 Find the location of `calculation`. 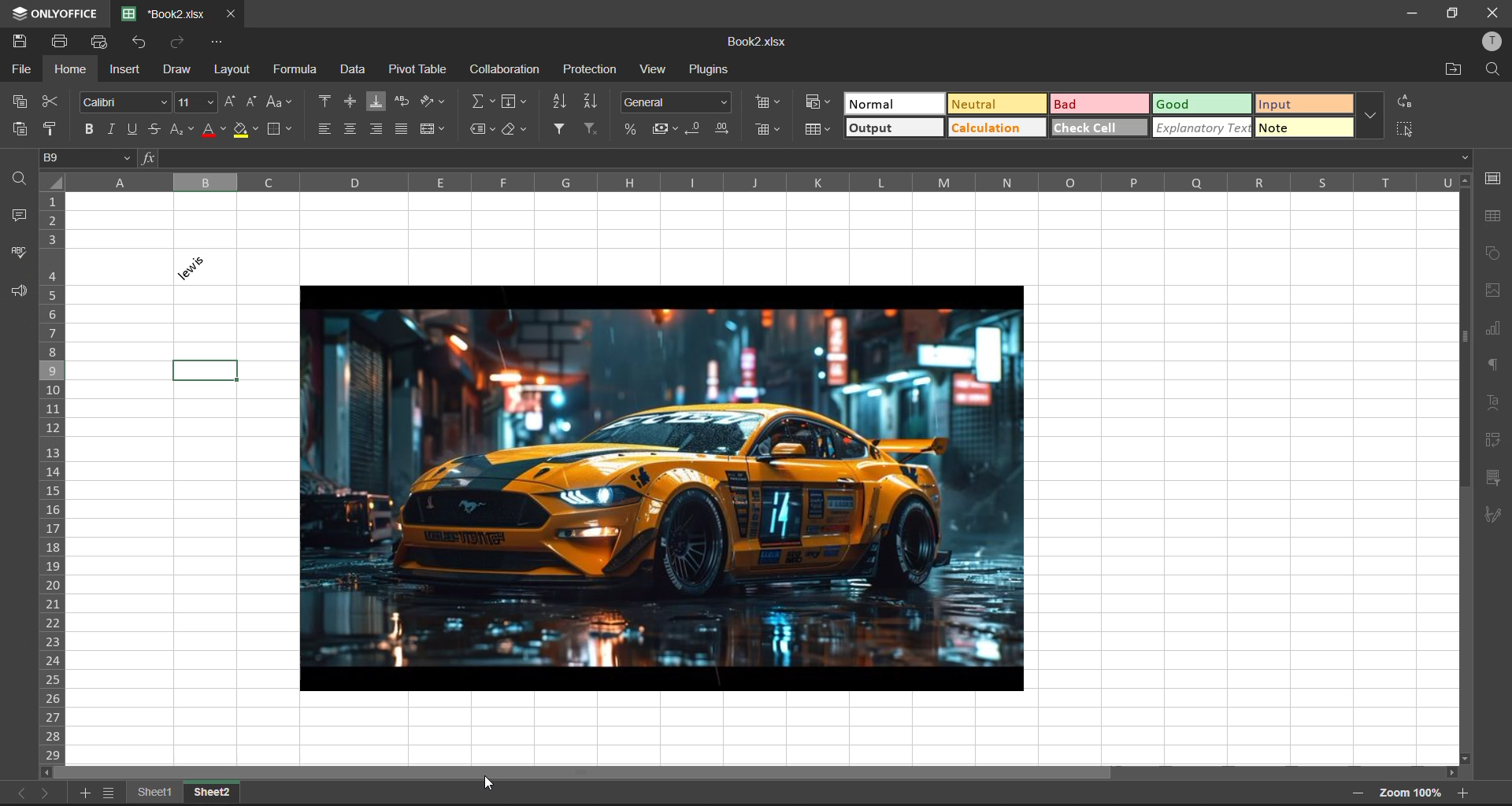

calculation is located at coordinates (1001, 125).